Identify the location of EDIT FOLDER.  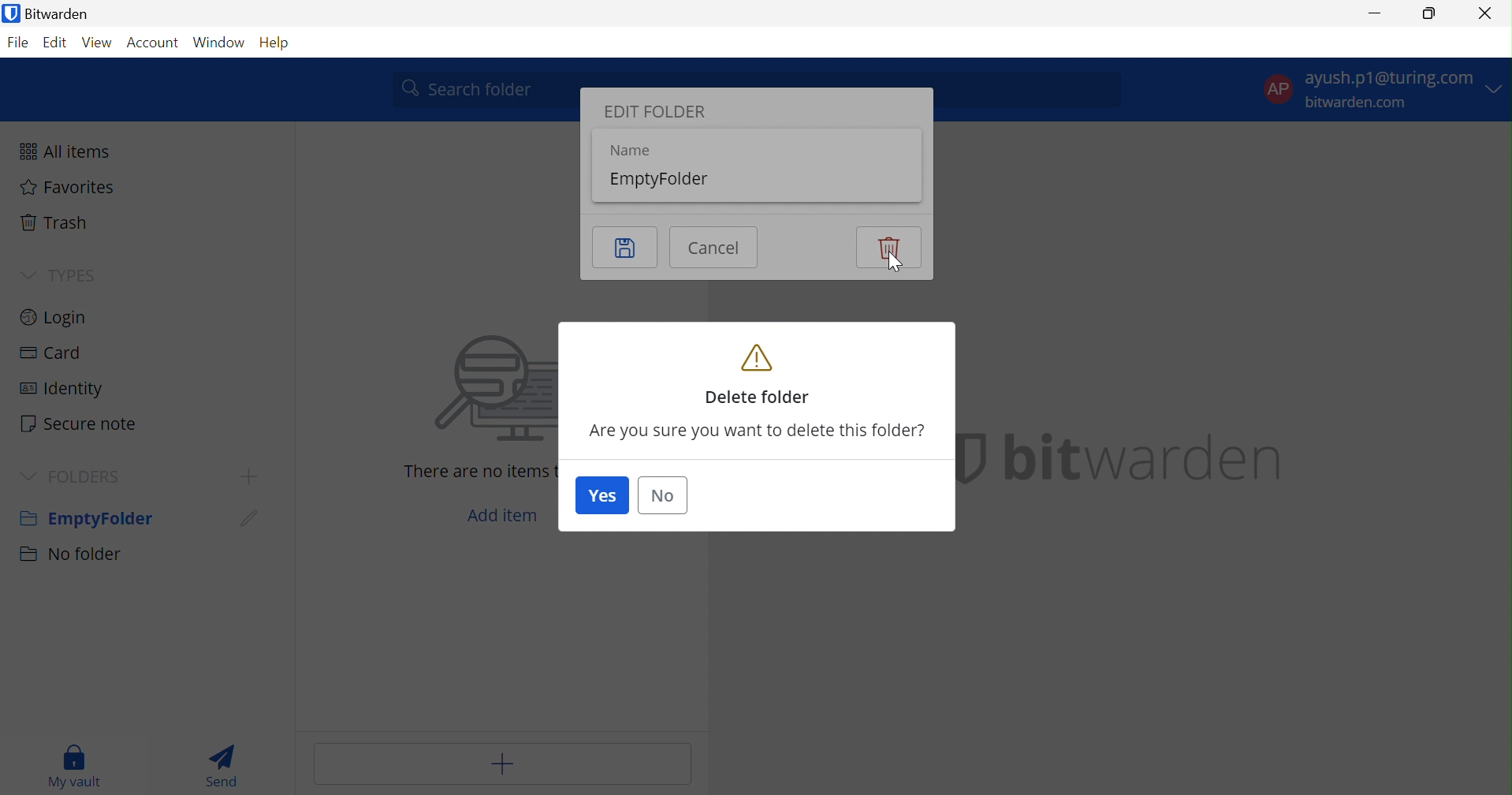
(662, 113).